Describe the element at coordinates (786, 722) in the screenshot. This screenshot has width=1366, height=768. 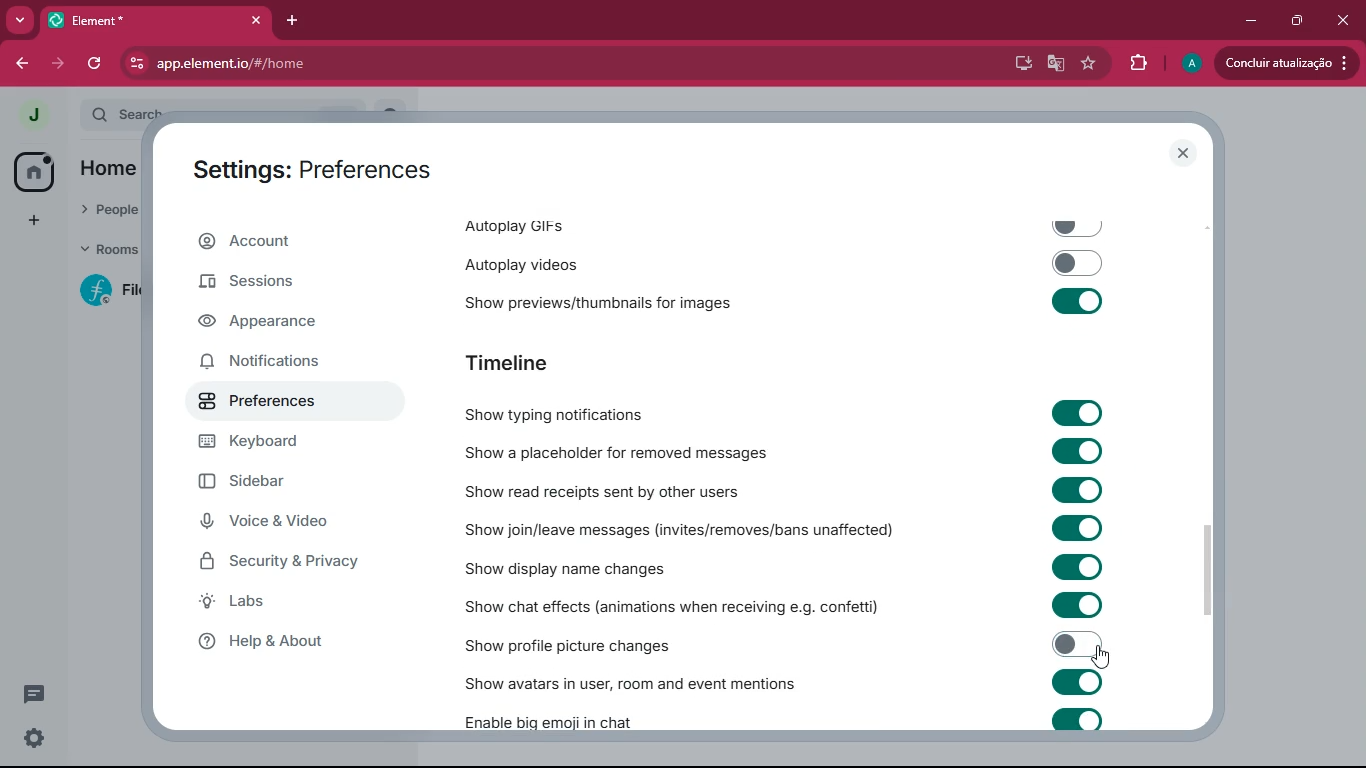
I see `Enable big emoji in chat ` at that location.